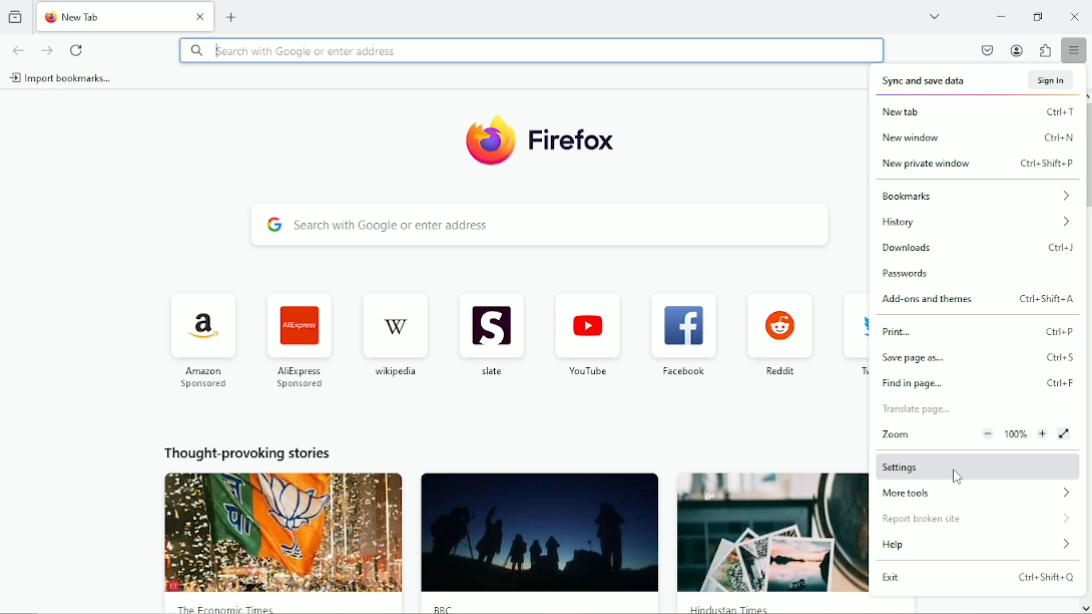 The width and height of the screenshot is (1092, 614). Describe the element at coordinates (1075, 50) in the screenshot. I see `Open application menu` at that location.